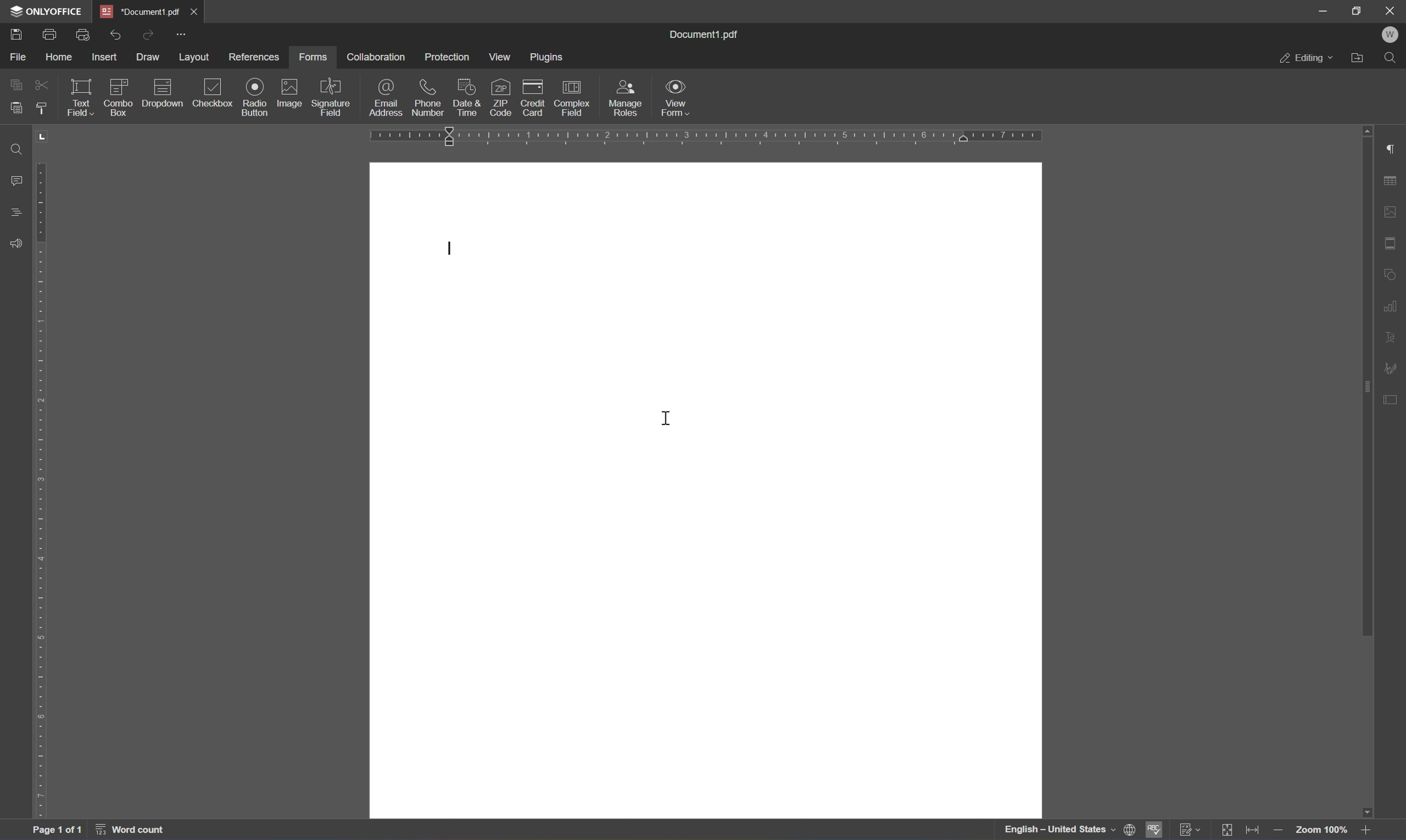  I want to click on plugins, so click(545, 58).